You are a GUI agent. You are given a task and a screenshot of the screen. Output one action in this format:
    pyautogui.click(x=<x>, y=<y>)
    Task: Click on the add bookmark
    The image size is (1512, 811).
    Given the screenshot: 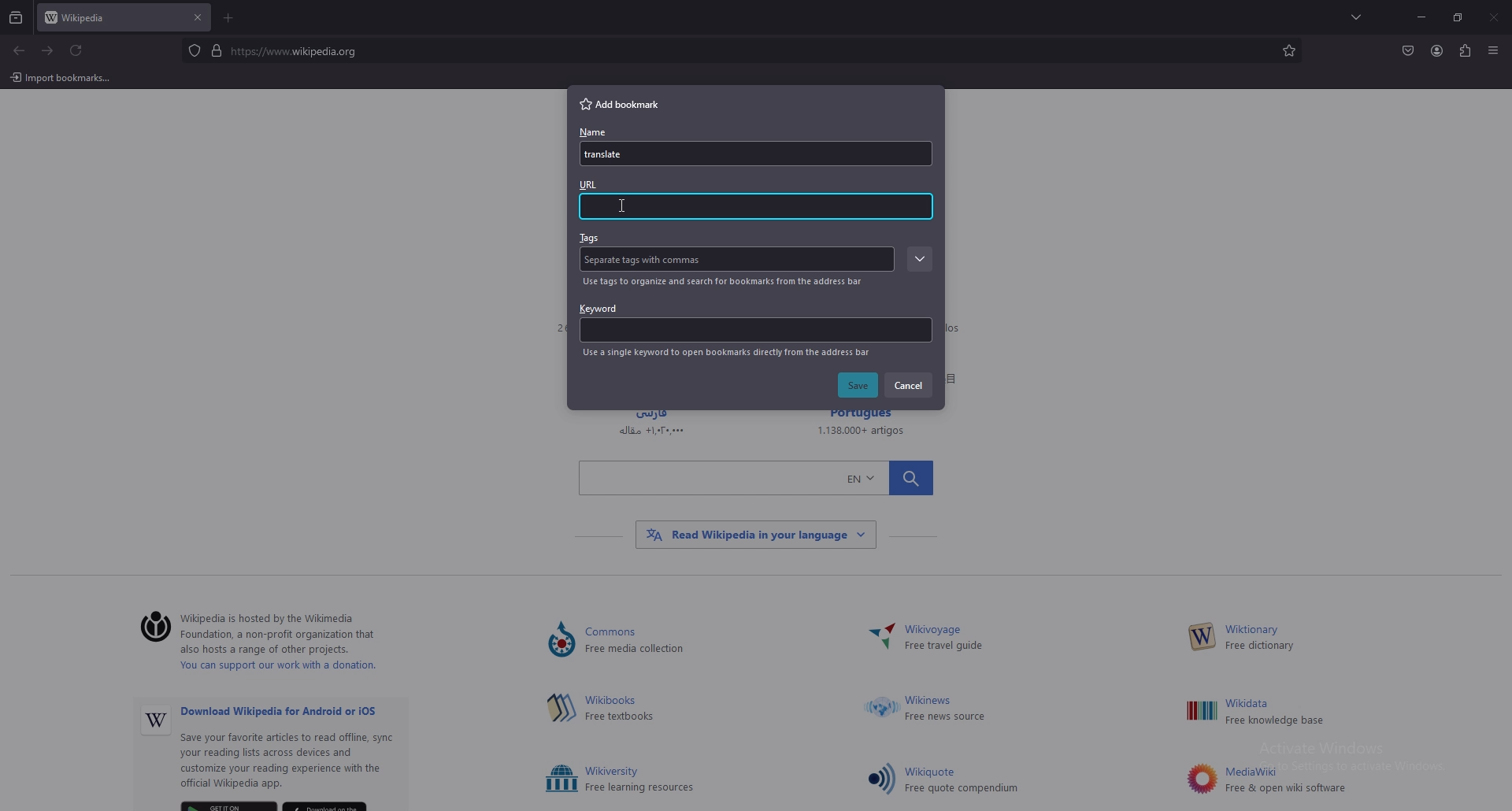 What is the action you would take?
    pyautogui.click(x=626, y=103)
    